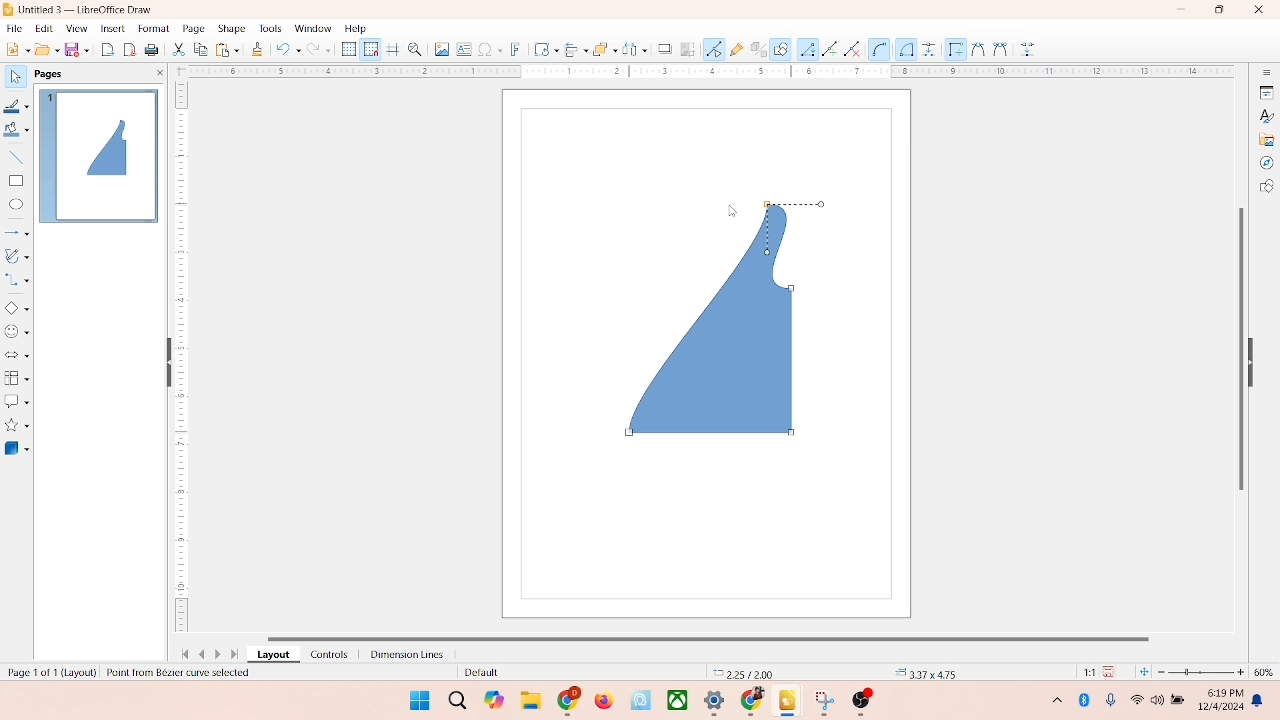  I want to click on print, so click(226, 49).